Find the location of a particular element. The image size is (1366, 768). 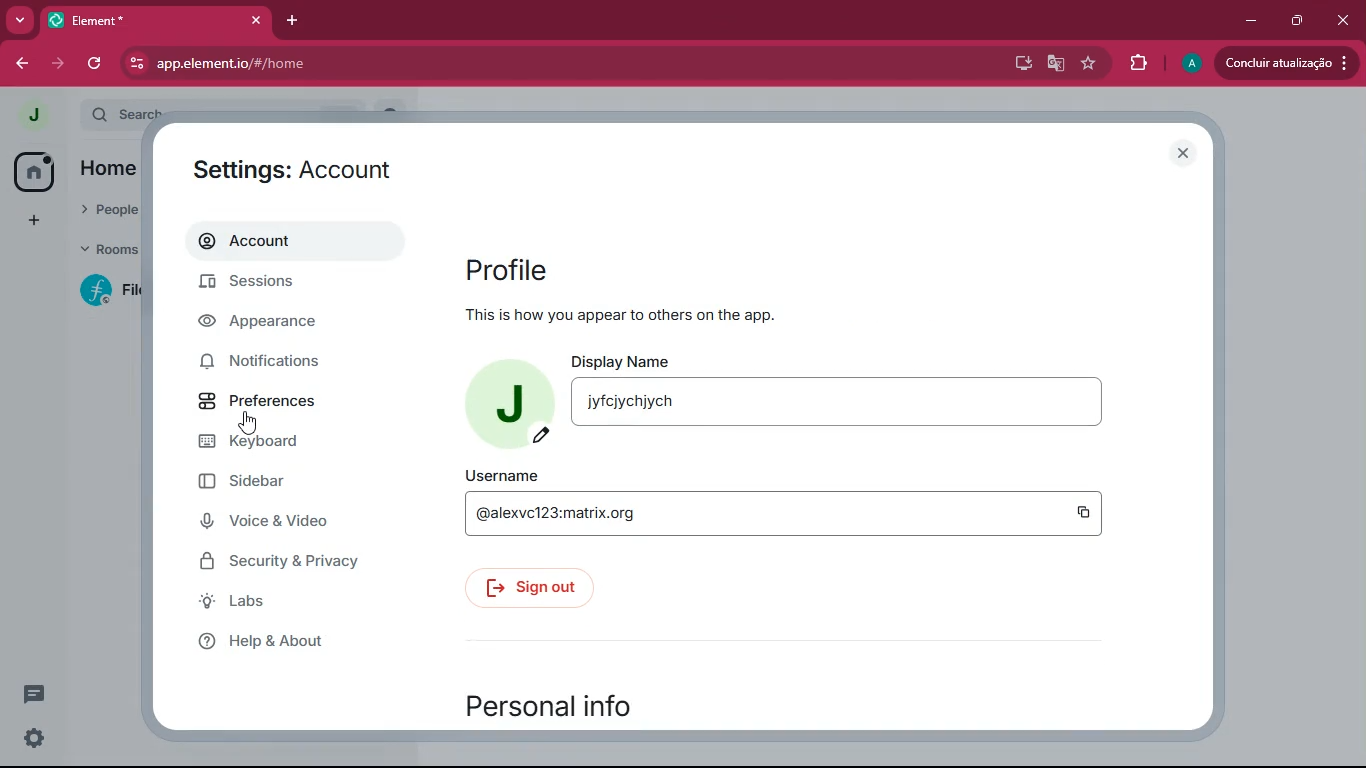

close is located at coordinates (1184, 154).